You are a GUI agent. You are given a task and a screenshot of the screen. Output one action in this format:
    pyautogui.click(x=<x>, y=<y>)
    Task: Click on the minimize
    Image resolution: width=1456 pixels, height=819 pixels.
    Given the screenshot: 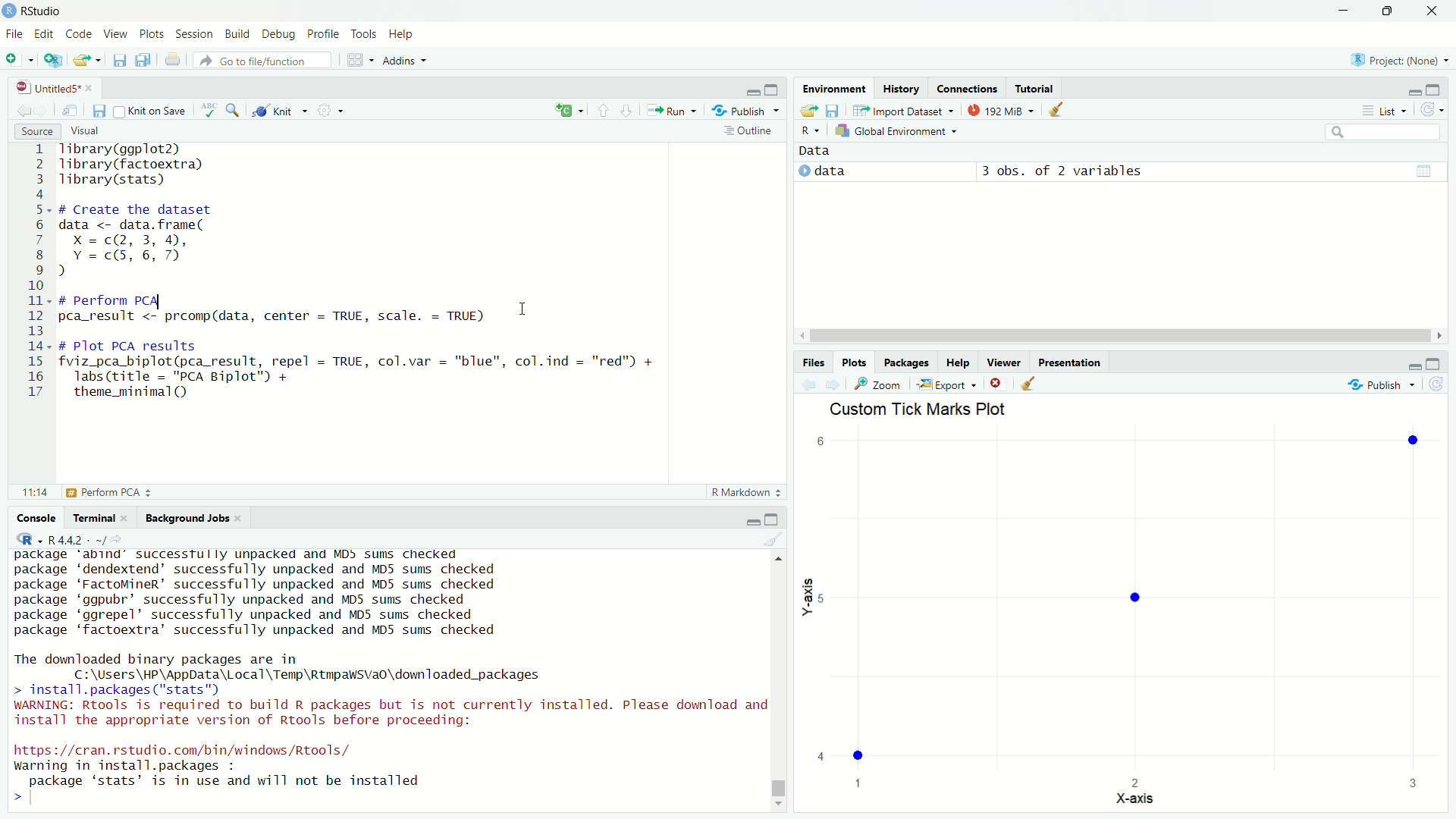 What is the action you would take?
    pyautogui.click(x=1413, y=90)
    